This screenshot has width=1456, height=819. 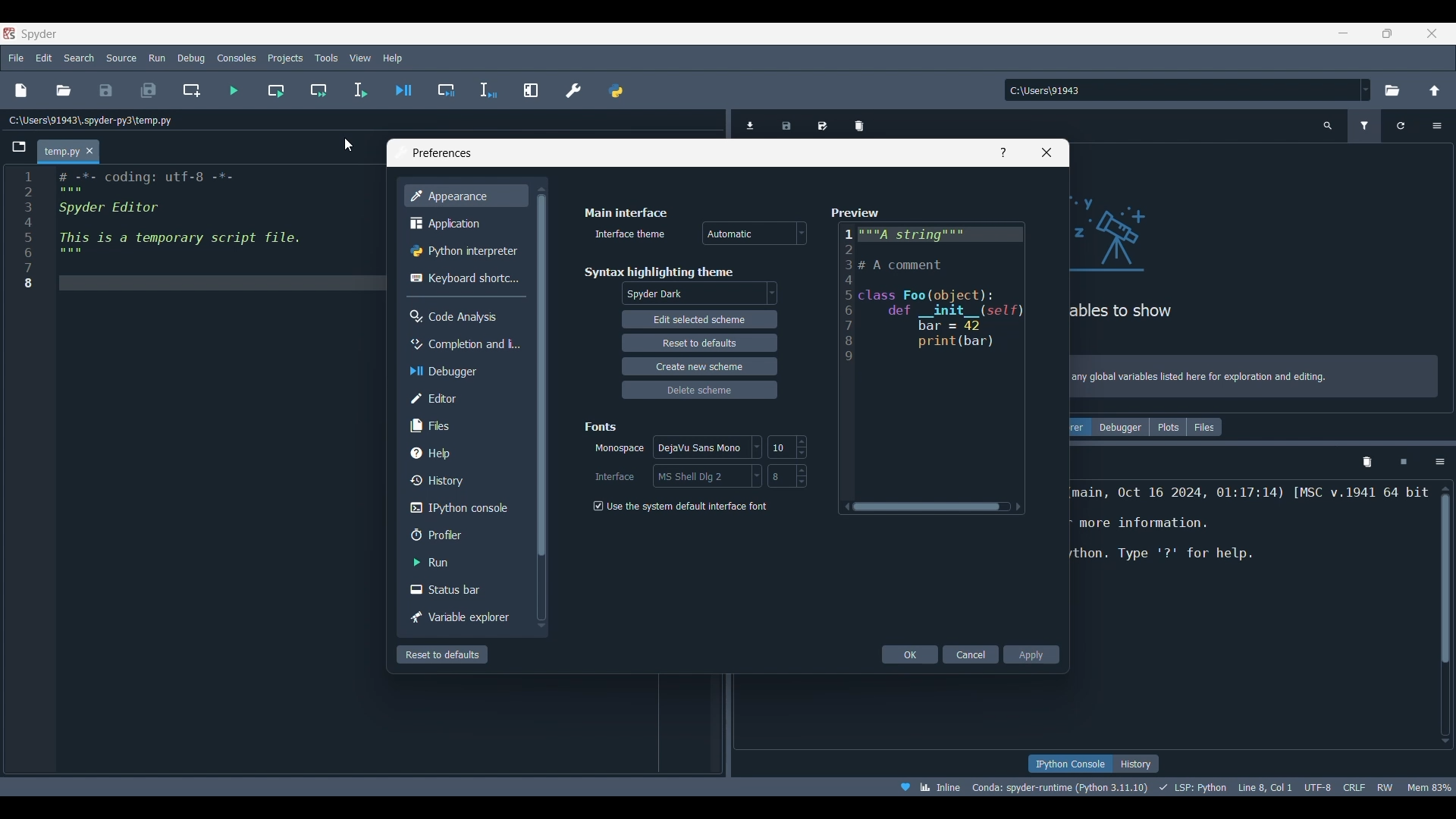 What do you see at coordinates (190, 58) in the screenshot?
I see `Debug menu` at bounding box center [190, 58].